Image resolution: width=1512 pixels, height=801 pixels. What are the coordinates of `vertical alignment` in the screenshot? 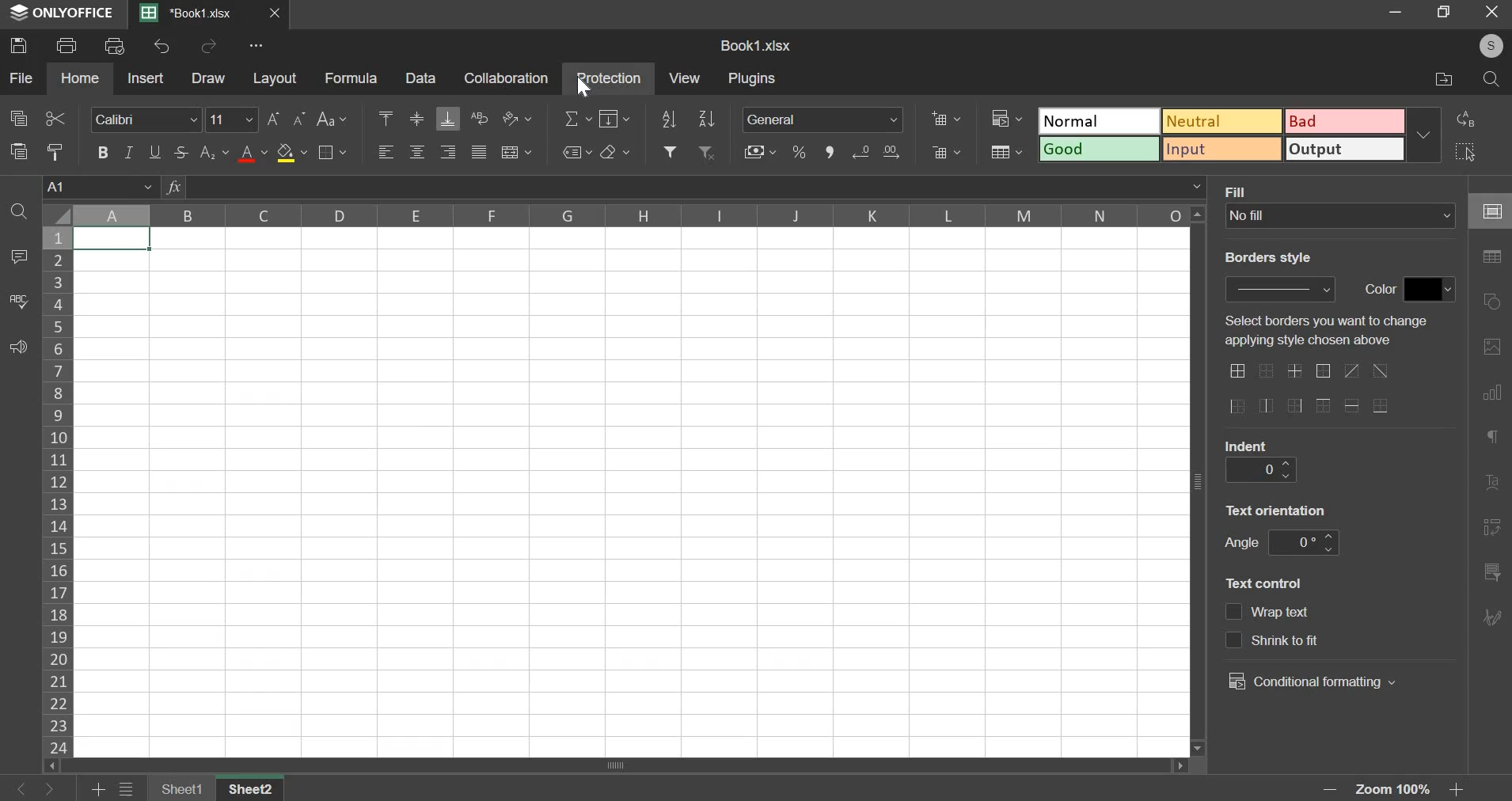 It's located at (417, 119).